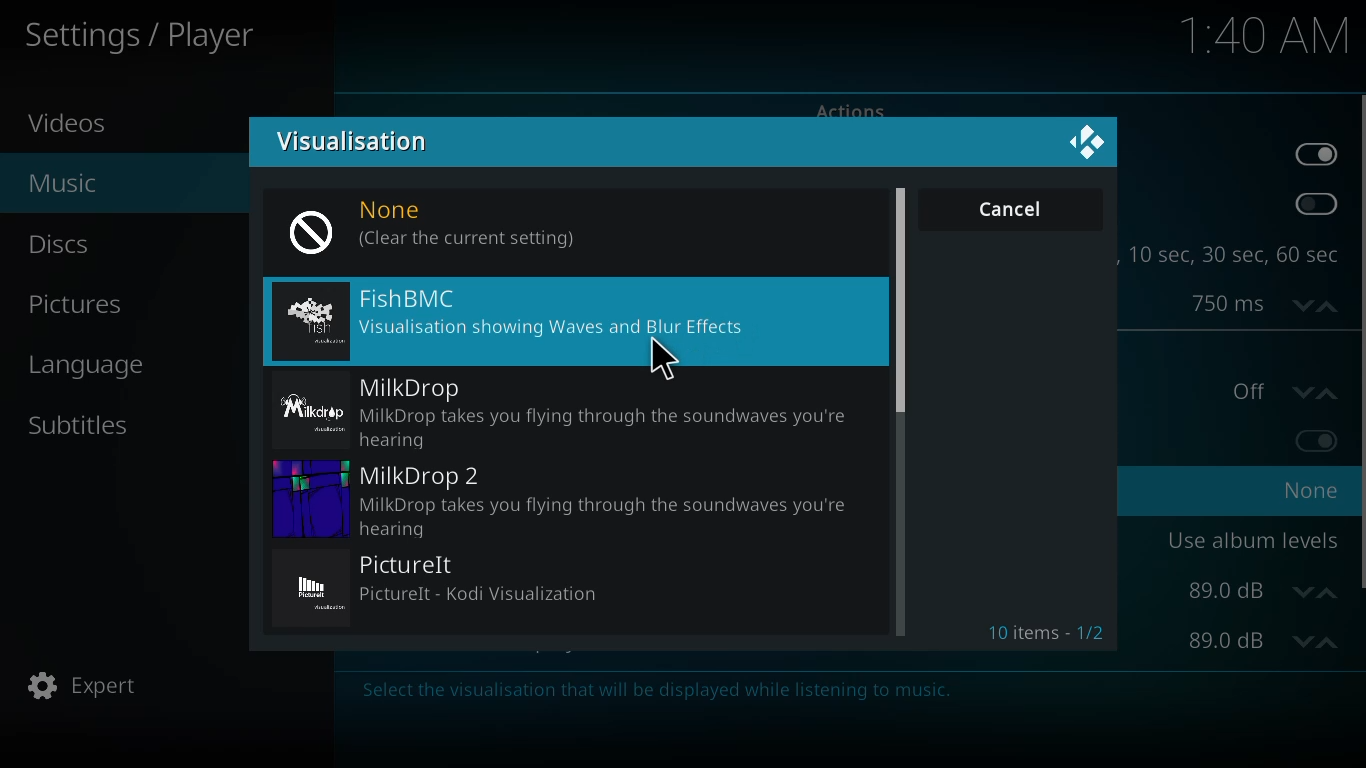  Describe the element at coordinates (82, 686) in the screenshot. I see `expert` at that location.